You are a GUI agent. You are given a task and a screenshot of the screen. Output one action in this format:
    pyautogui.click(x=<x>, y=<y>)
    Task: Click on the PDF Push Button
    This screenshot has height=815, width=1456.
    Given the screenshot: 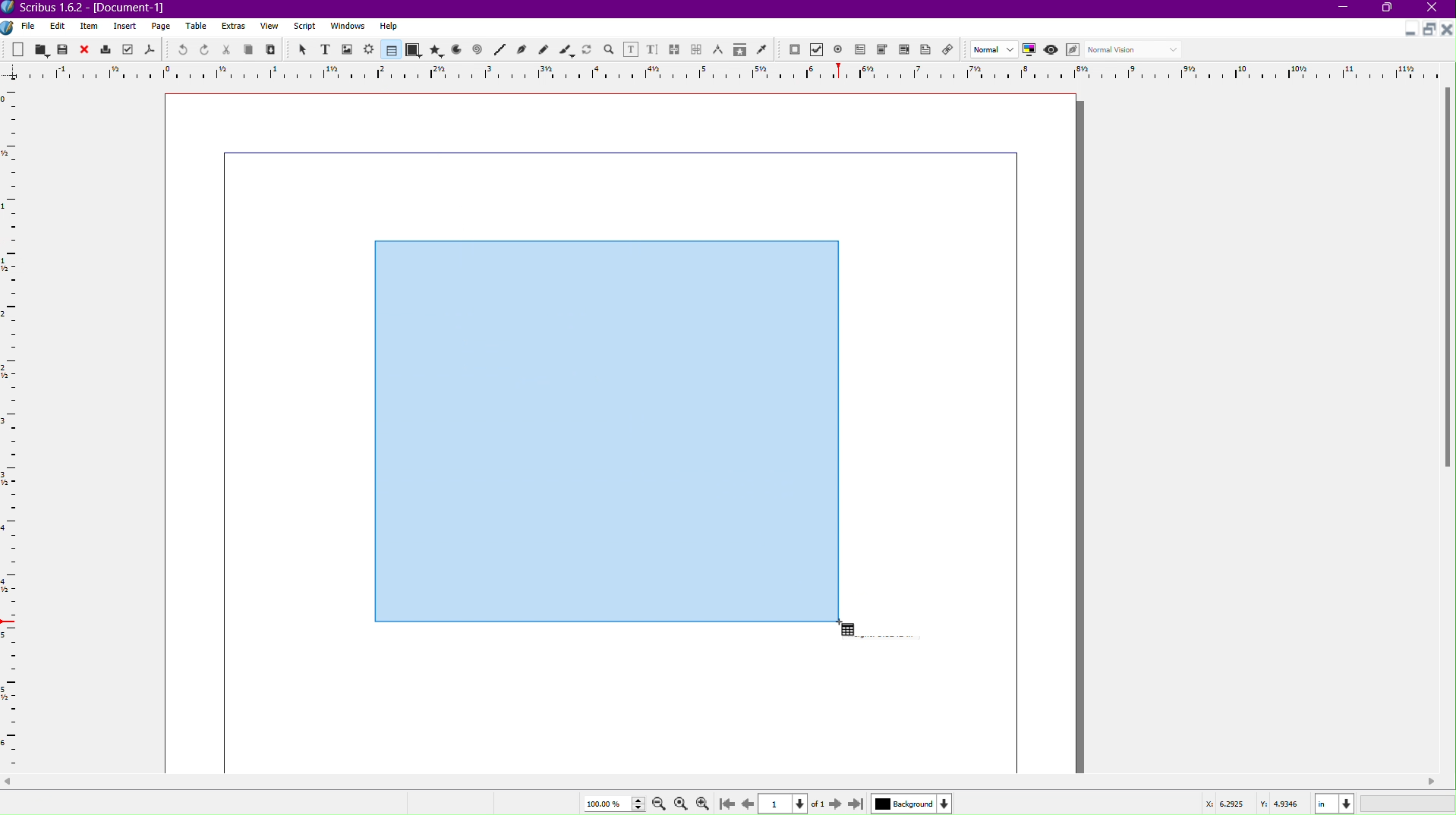 What is the action you would take?
    pyautogui.click(x=794, y=50)
    